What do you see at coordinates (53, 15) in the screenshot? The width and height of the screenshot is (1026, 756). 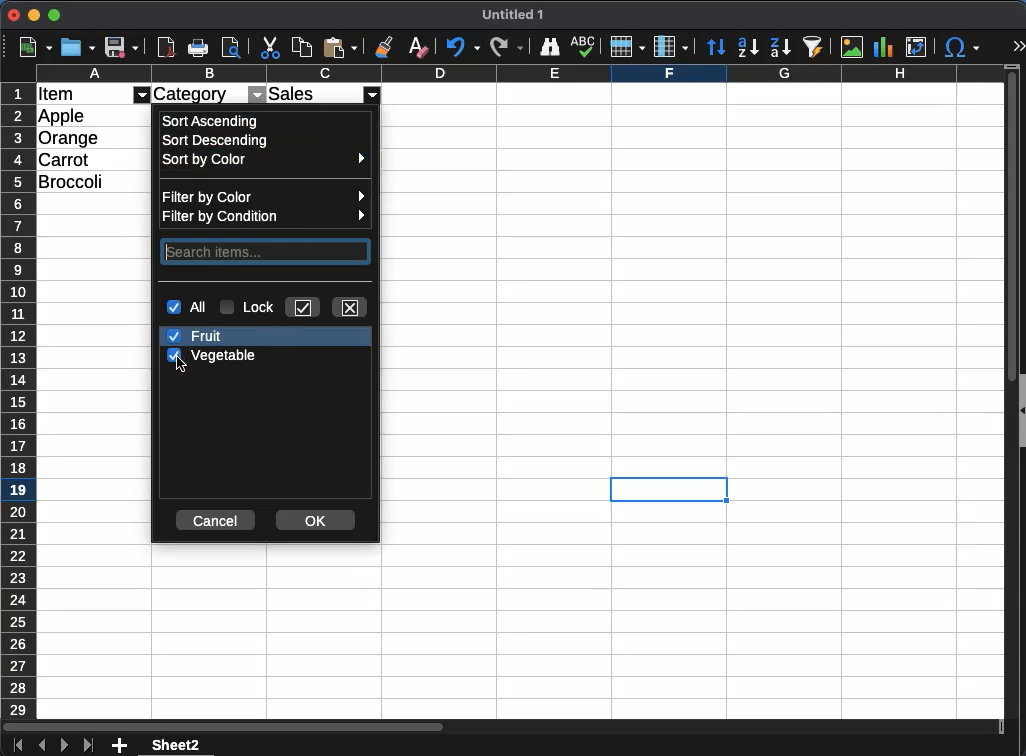 I see `maximize` at bounding box center [53, 15].